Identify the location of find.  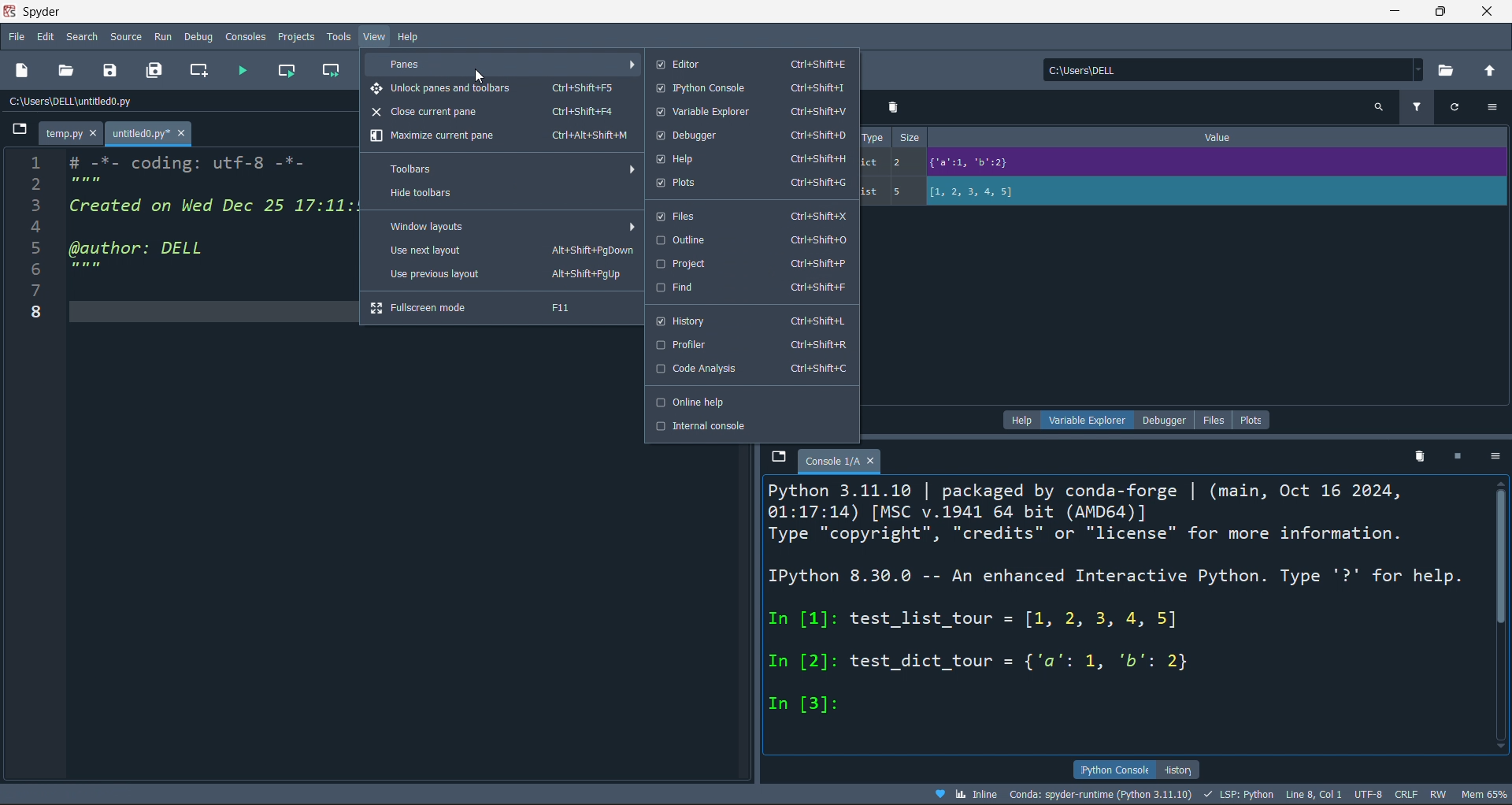
(750, 289).